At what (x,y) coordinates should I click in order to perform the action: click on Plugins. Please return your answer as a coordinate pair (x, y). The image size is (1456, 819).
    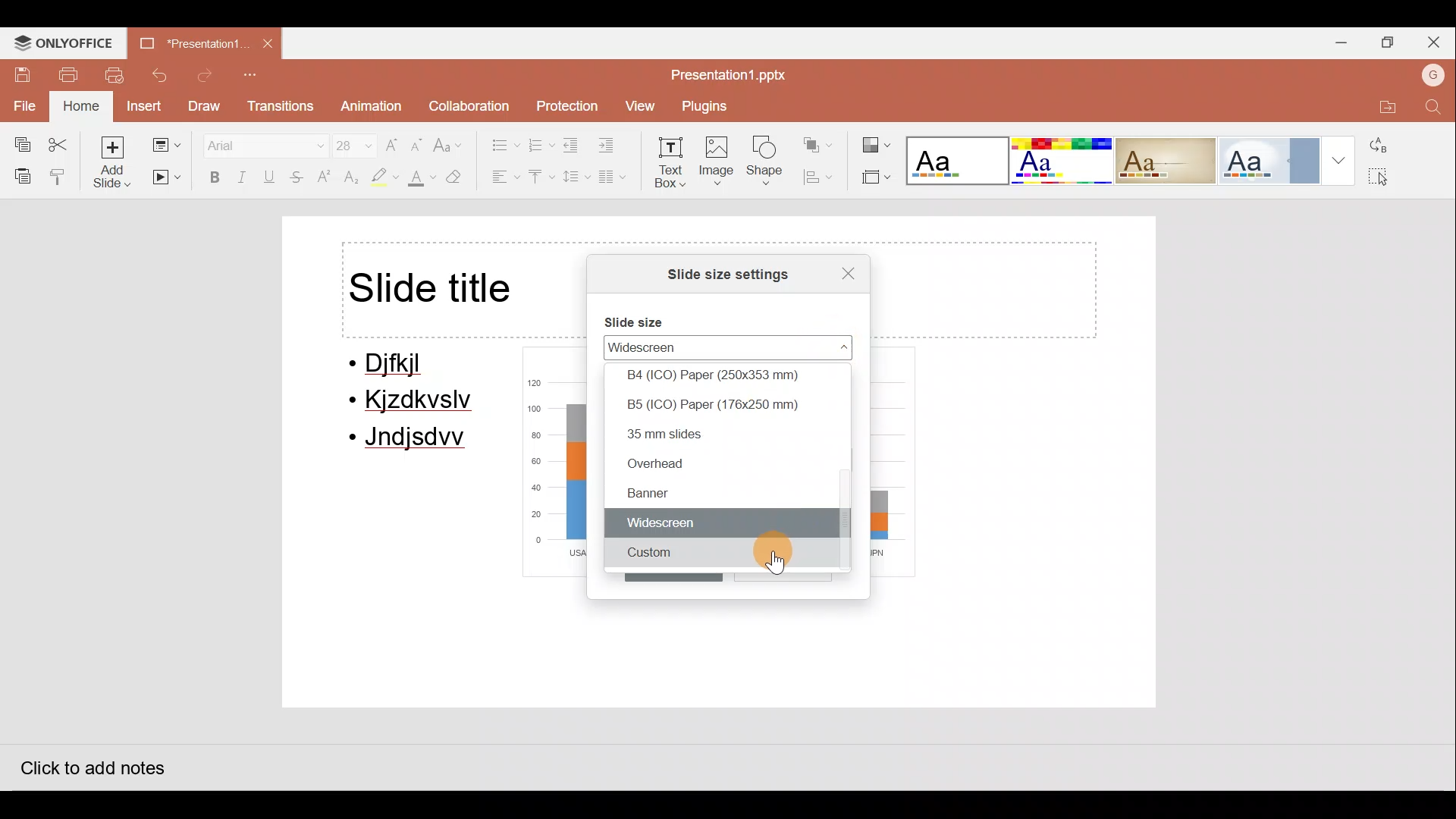
    Looking at the image, I should click on (711, 106).